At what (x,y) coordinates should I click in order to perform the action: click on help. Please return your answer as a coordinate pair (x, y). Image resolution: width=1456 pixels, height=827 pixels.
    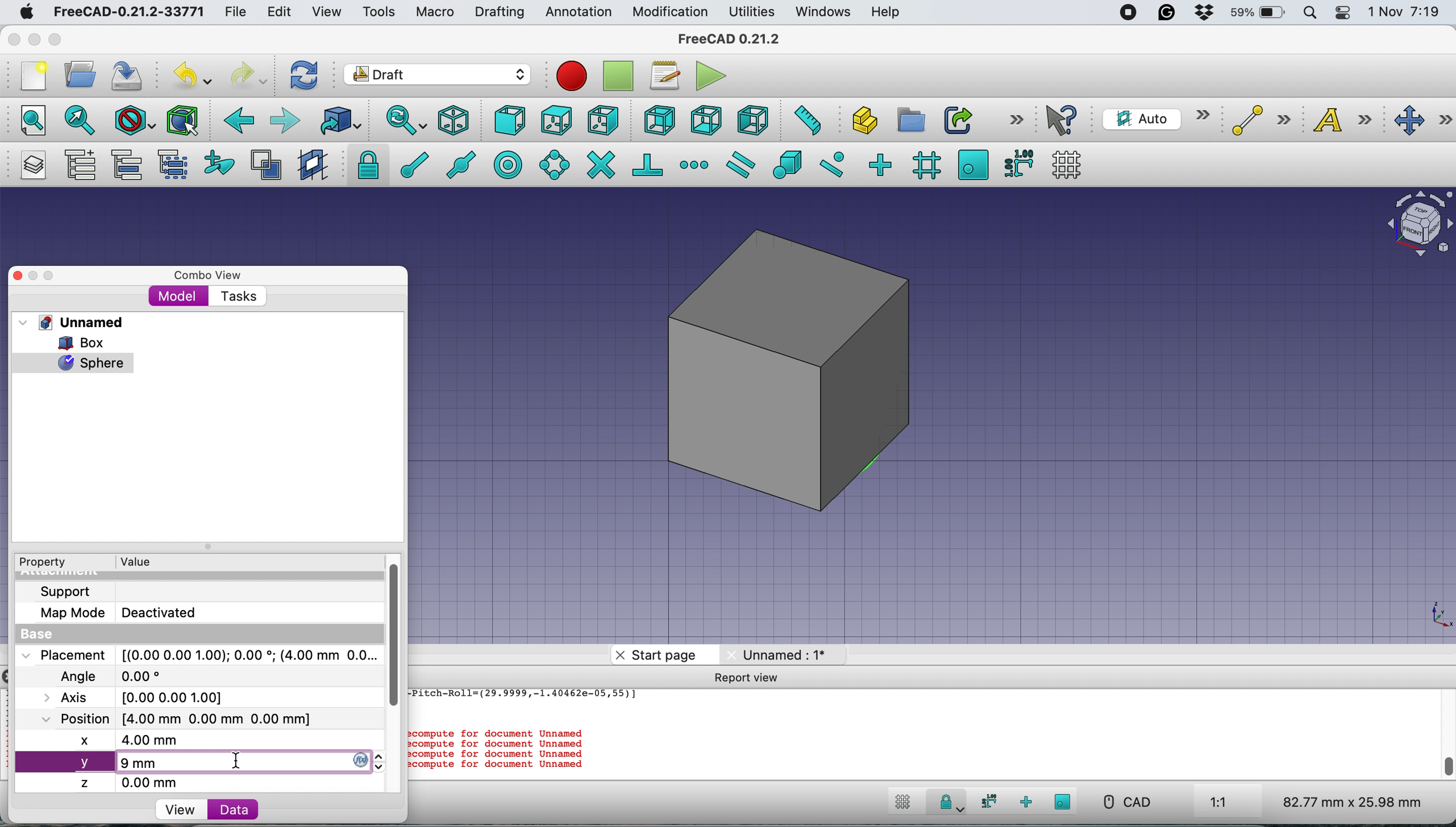
    Looking at the image, I should click on (887, 13).